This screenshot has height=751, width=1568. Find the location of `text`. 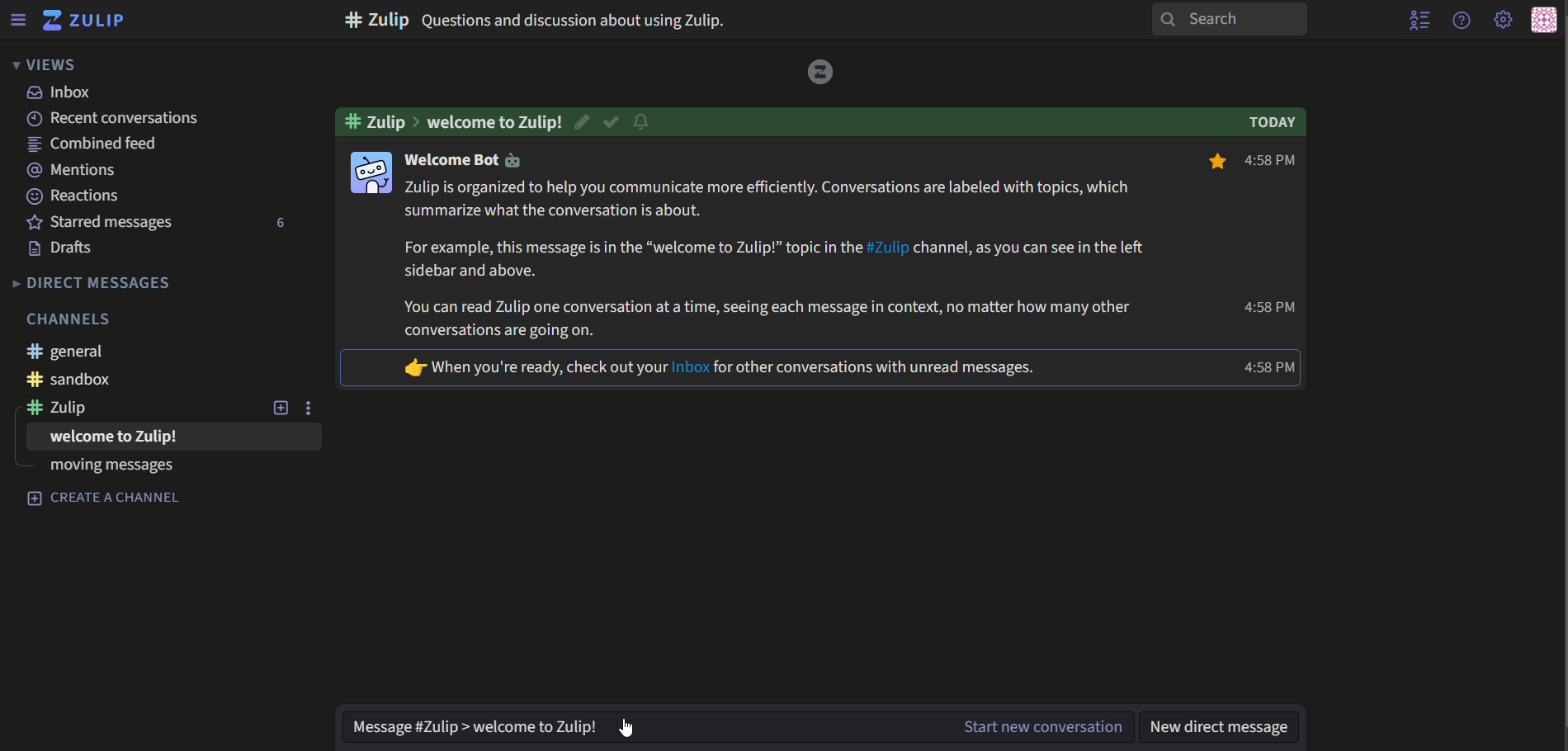

text is located at coordinates (100, 441).